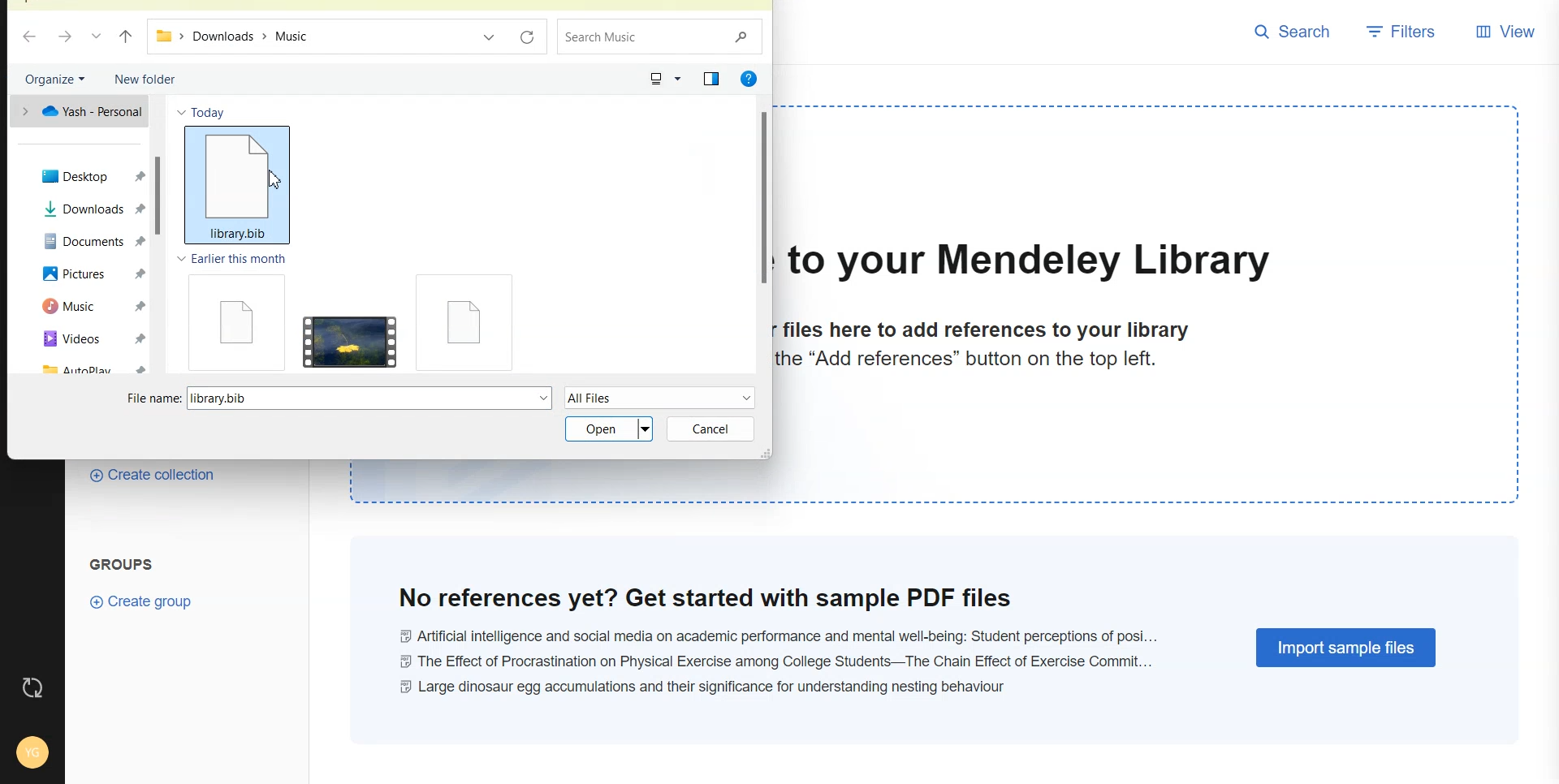 This screenshot has height=784, width=1559. Describe the element at coordinates (54, 80) in the screenshot. I see `Organize` at that location.